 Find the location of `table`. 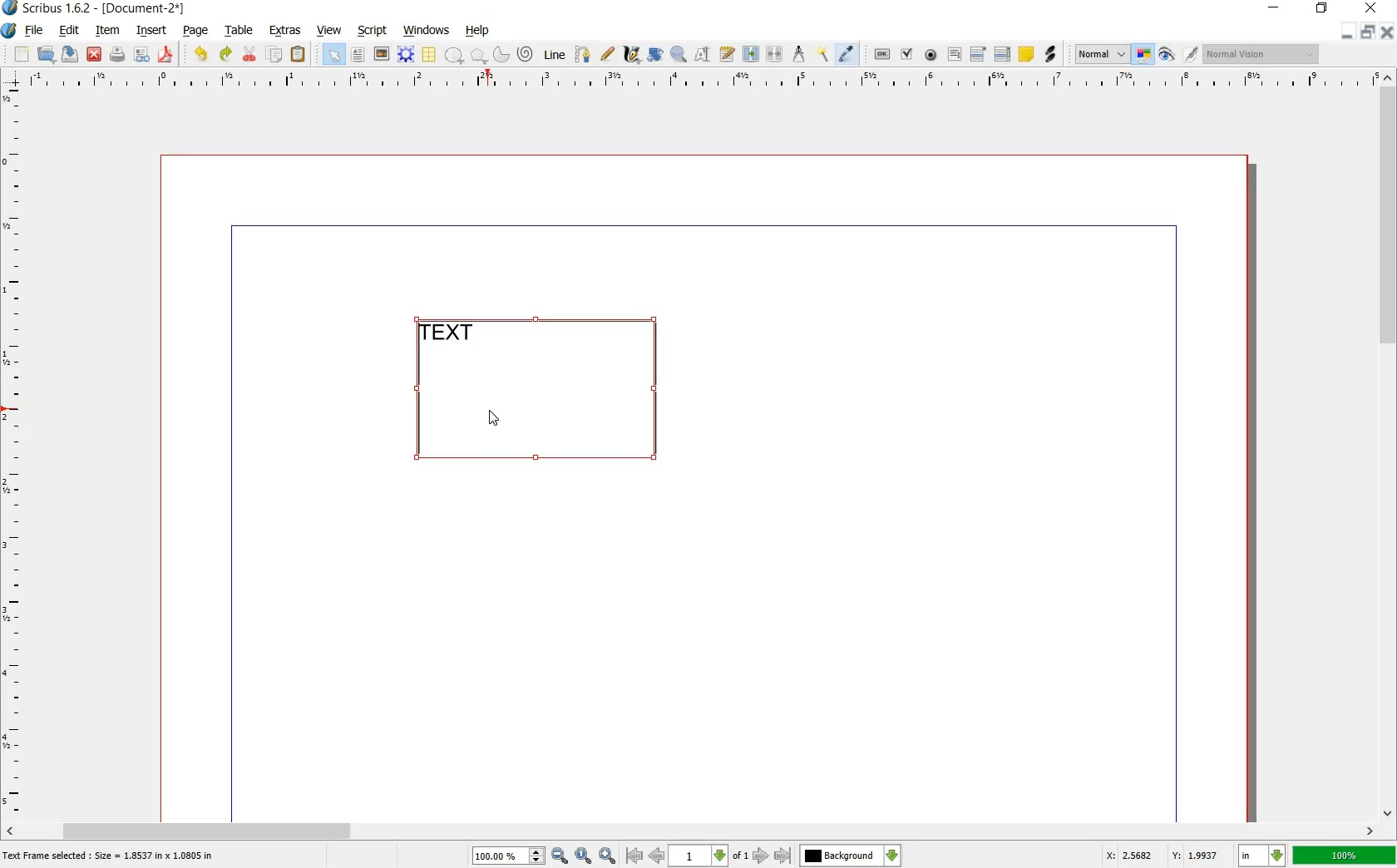

table is located at coordinates (430, 55).